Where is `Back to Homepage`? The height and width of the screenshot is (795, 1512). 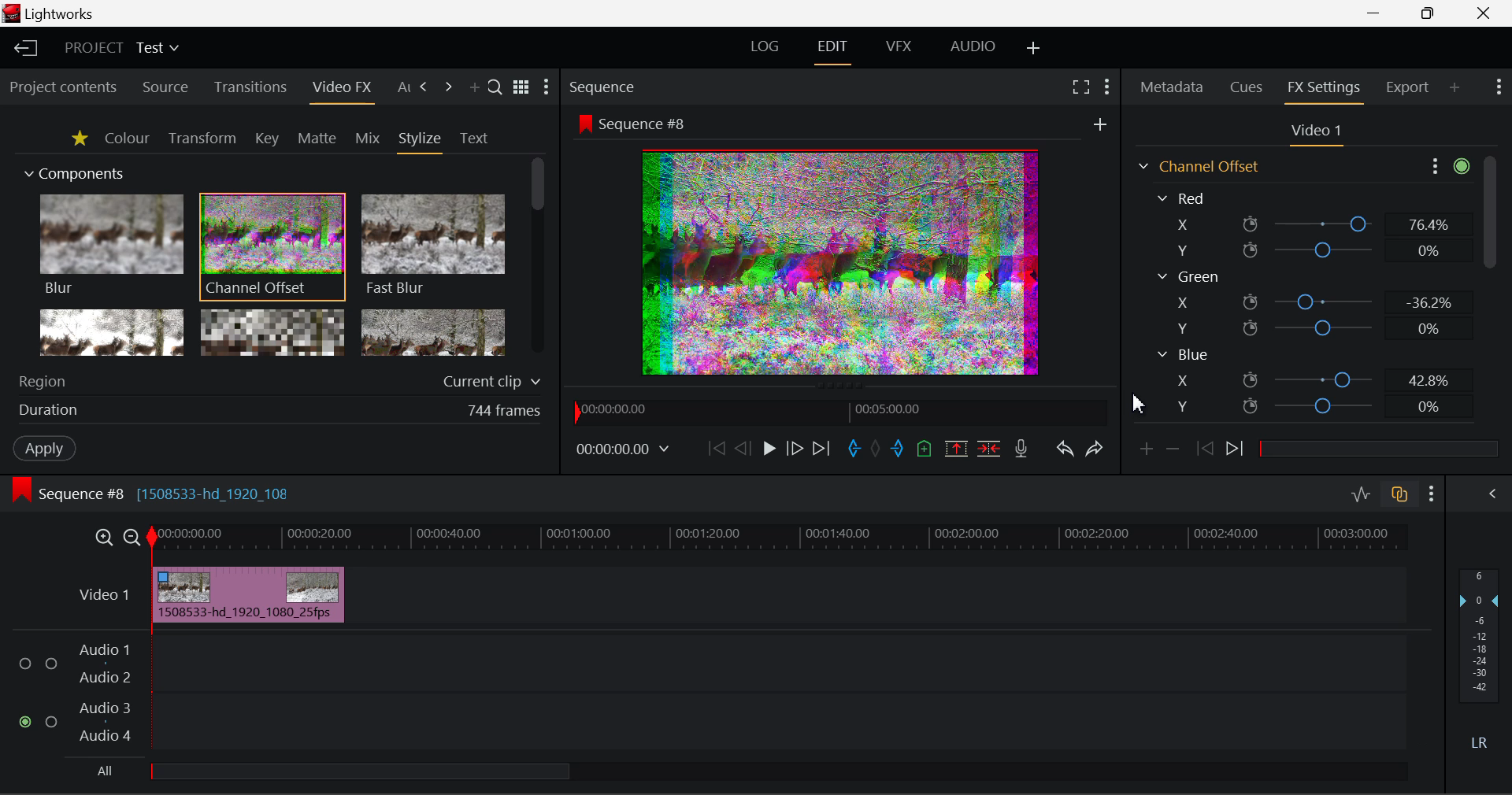 Back to Homepage is located at coordinates (24, 49).